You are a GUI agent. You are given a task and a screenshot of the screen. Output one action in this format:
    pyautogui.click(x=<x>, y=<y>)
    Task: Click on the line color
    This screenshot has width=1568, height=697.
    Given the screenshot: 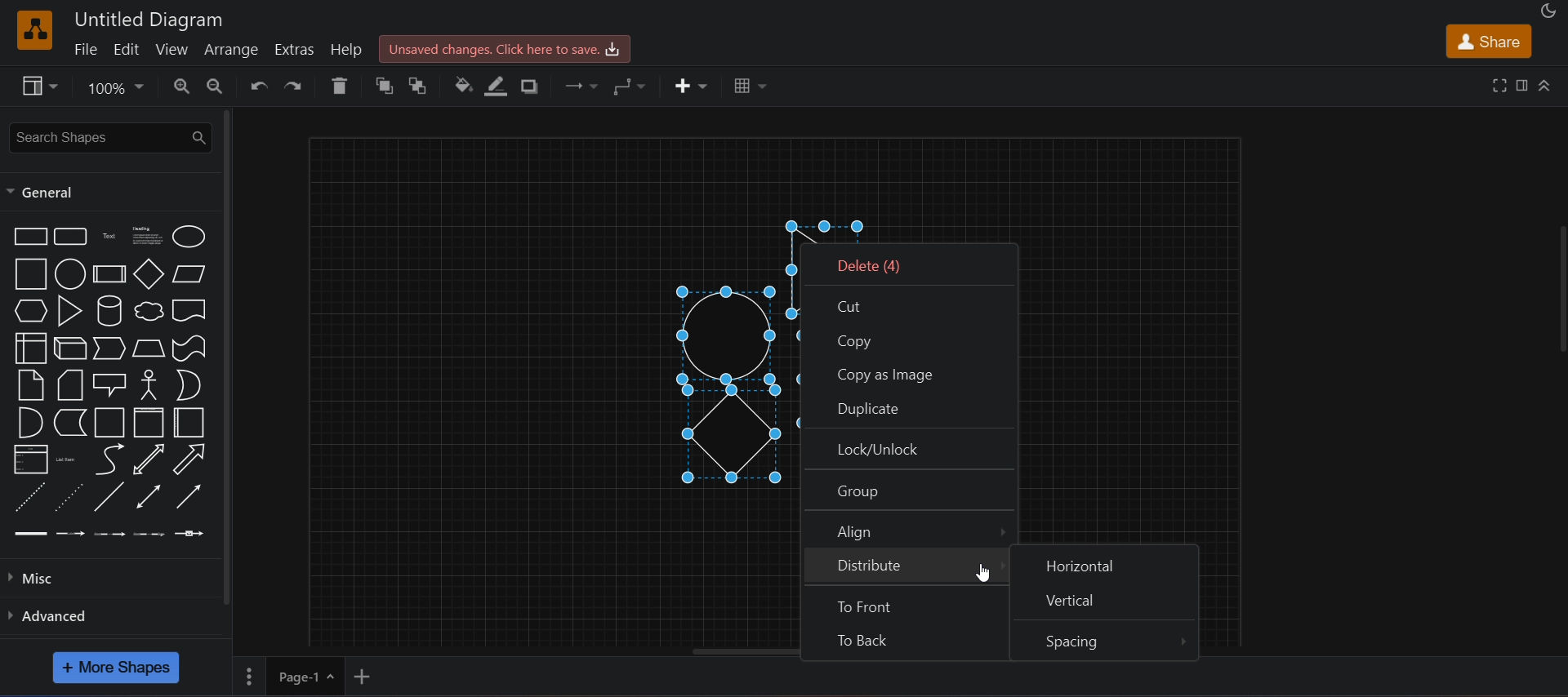 What is the action you would take?
    pyautogui.click(x=498, y=85)
    